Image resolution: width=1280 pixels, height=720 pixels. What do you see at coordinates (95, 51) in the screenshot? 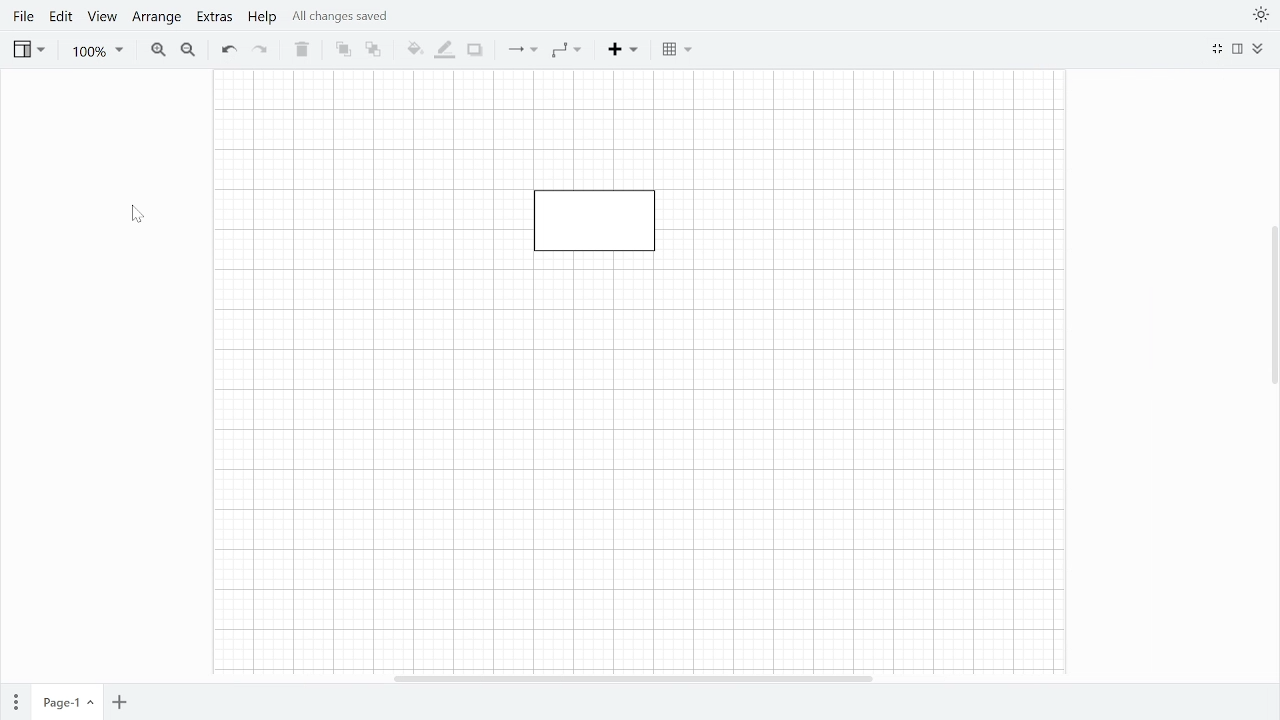
I see `Zoom` at bounding box center [95, 51].